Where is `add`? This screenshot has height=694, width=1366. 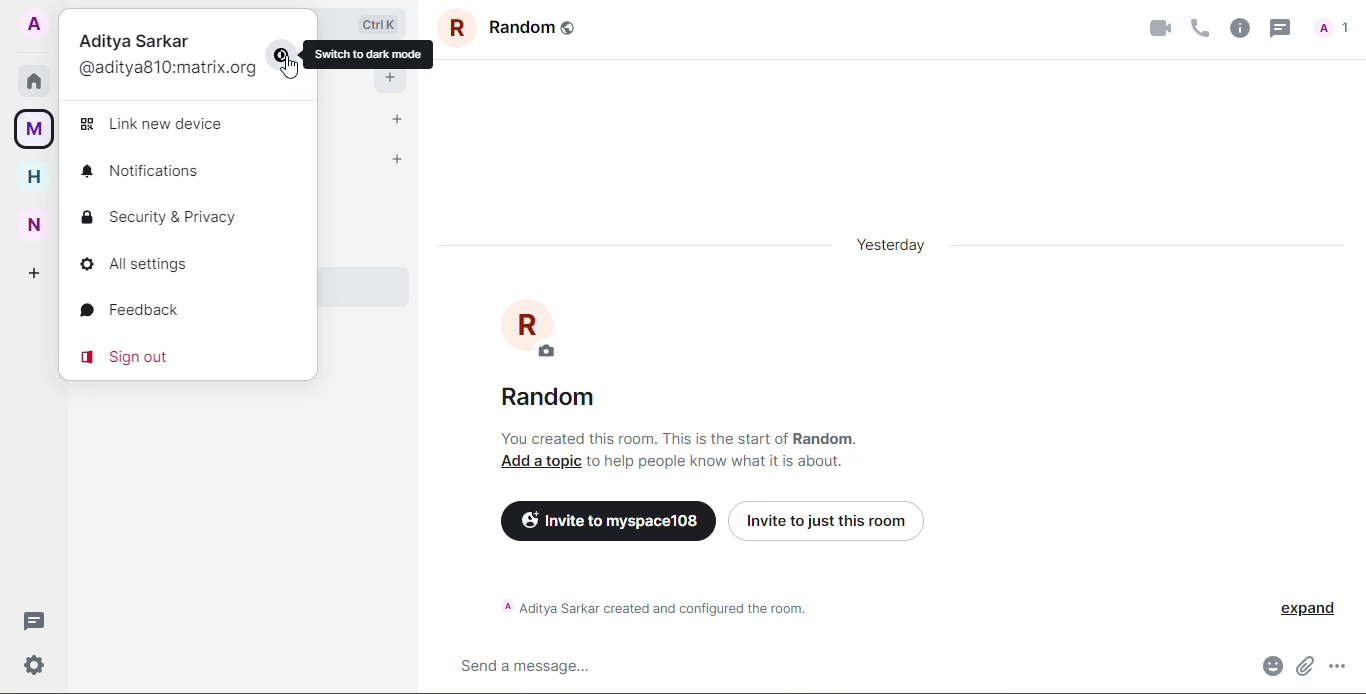 add is located at coordinates (389, 77).